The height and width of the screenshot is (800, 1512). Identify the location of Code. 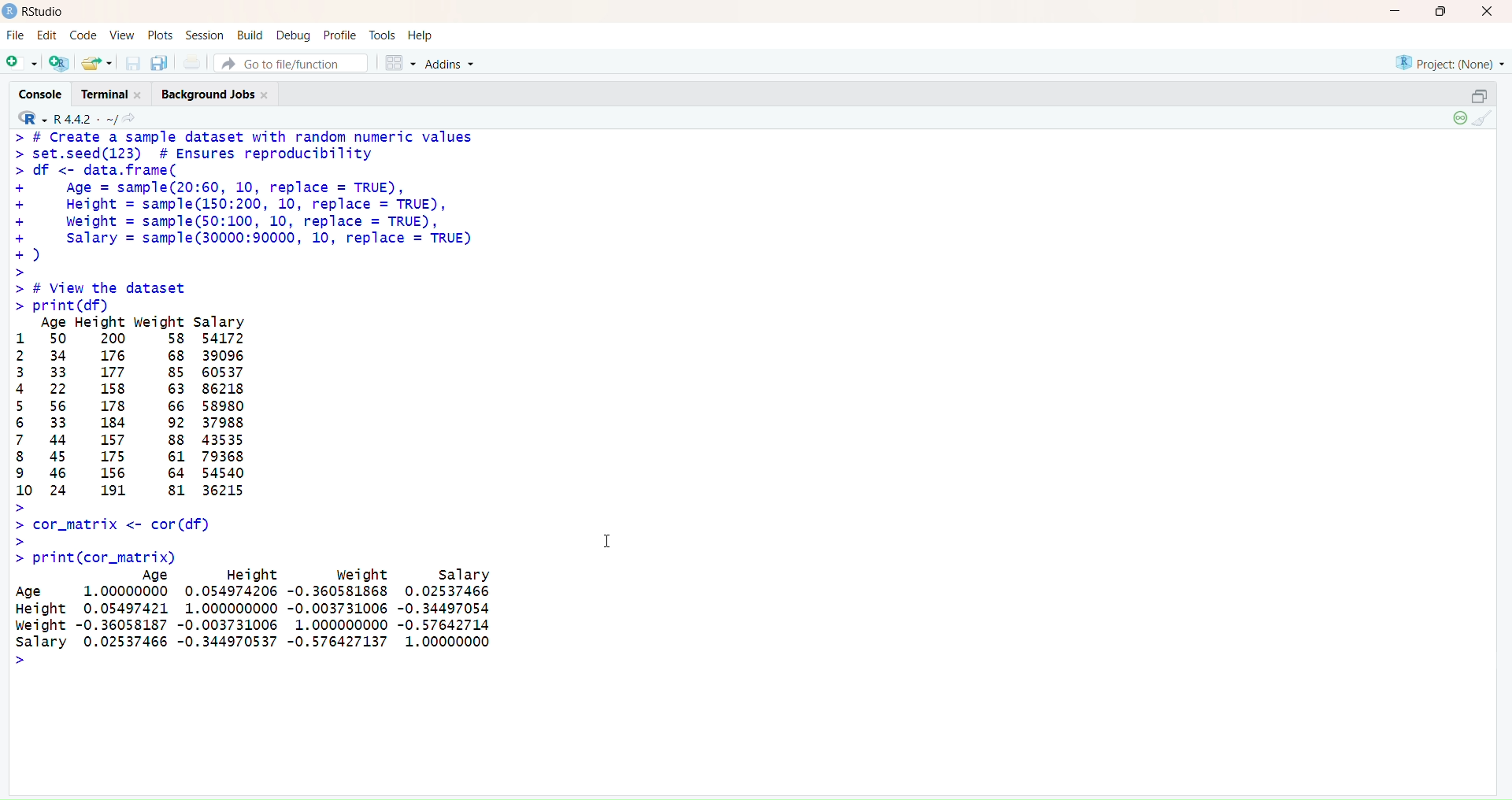
(82, 36).